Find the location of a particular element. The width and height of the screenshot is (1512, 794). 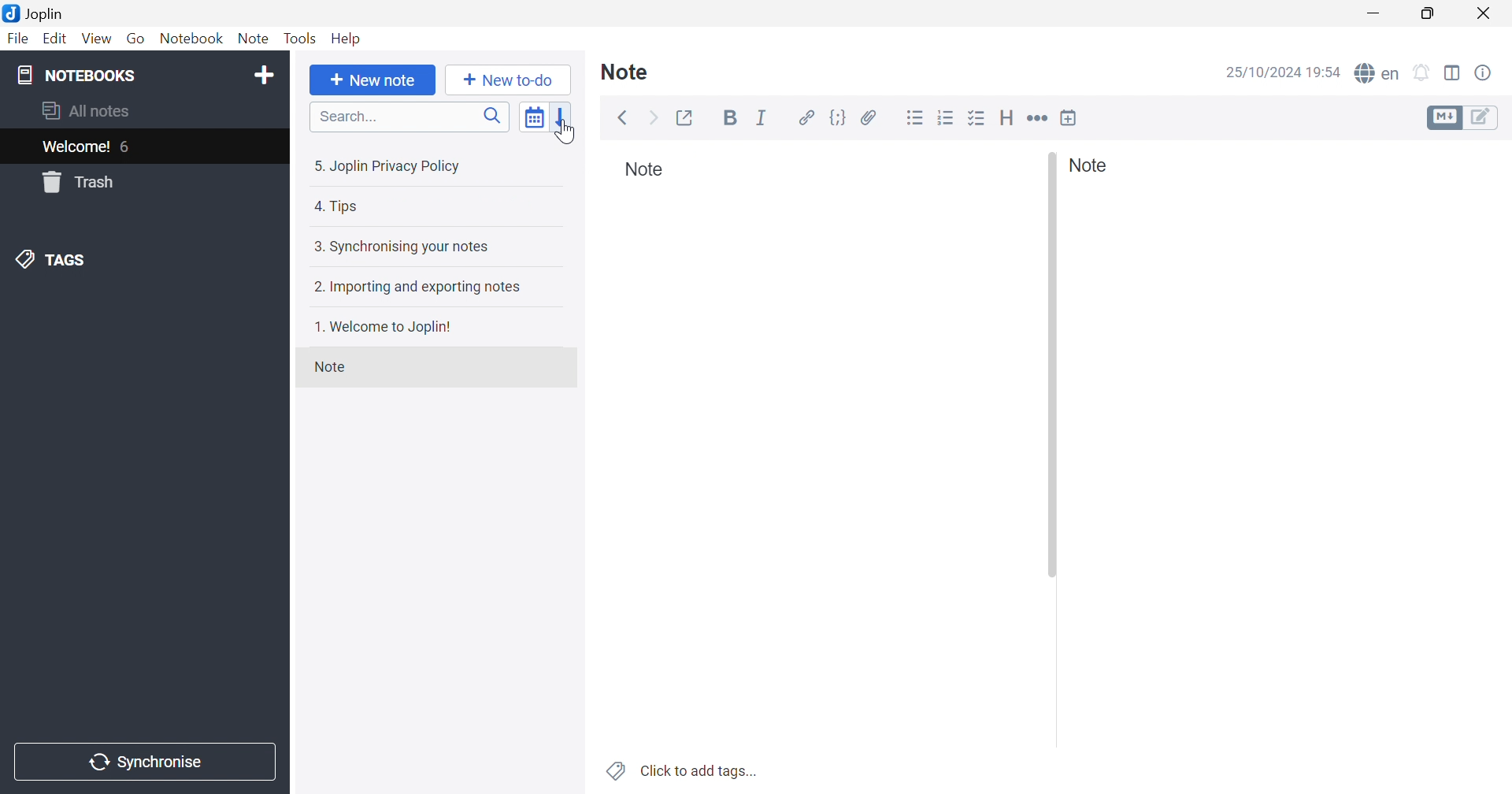

Toggle editor layout is located at coordinates (1453, 72).